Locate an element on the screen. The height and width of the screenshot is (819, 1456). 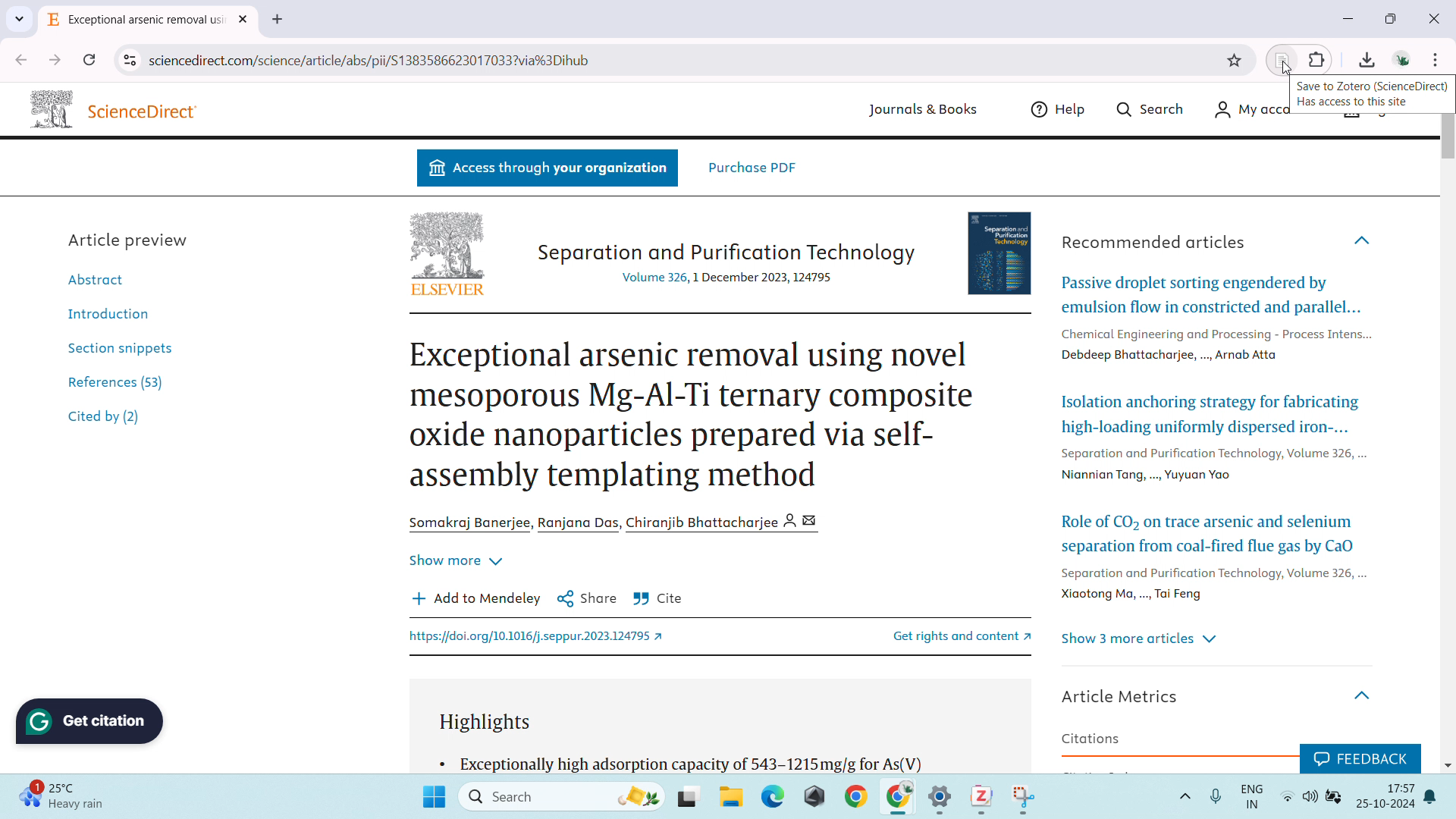
Show 3 more articles  is located at coordinates (1141, 639).